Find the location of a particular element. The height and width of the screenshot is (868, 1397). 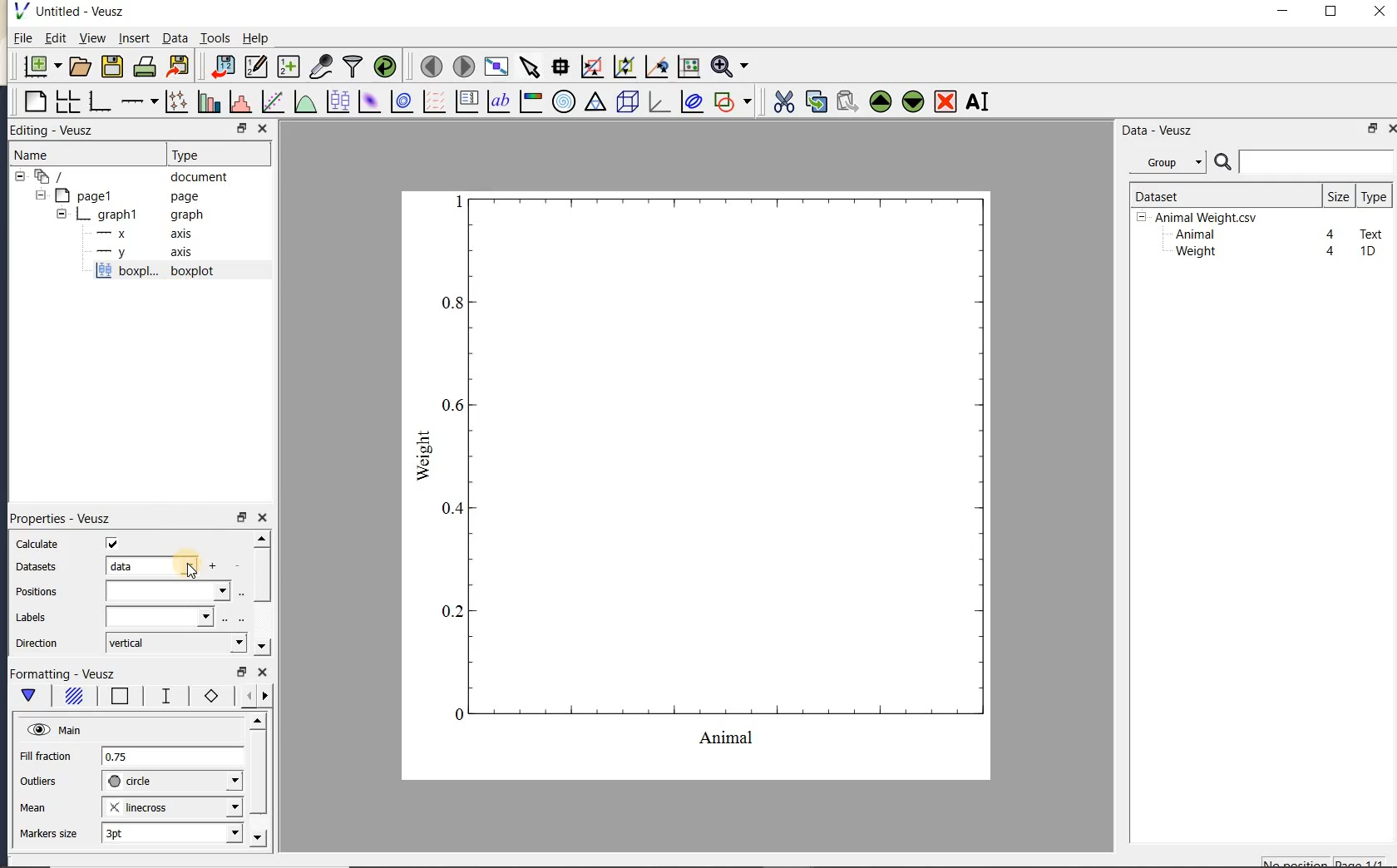

4 is located at coordinates (1331, 235).